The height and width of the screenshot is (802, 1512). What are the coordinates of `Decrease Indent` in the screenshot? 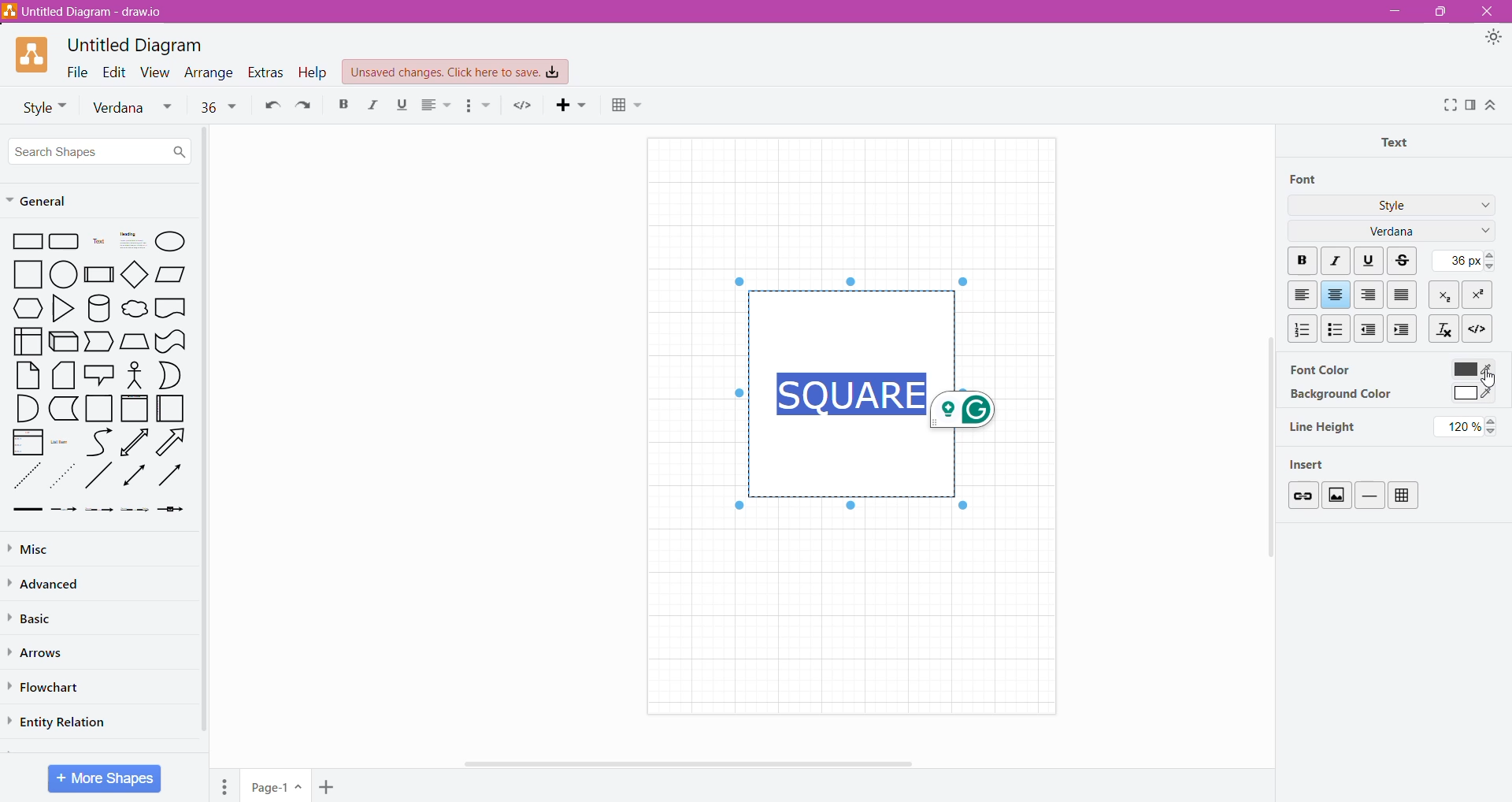 It's located at (1370, 329).